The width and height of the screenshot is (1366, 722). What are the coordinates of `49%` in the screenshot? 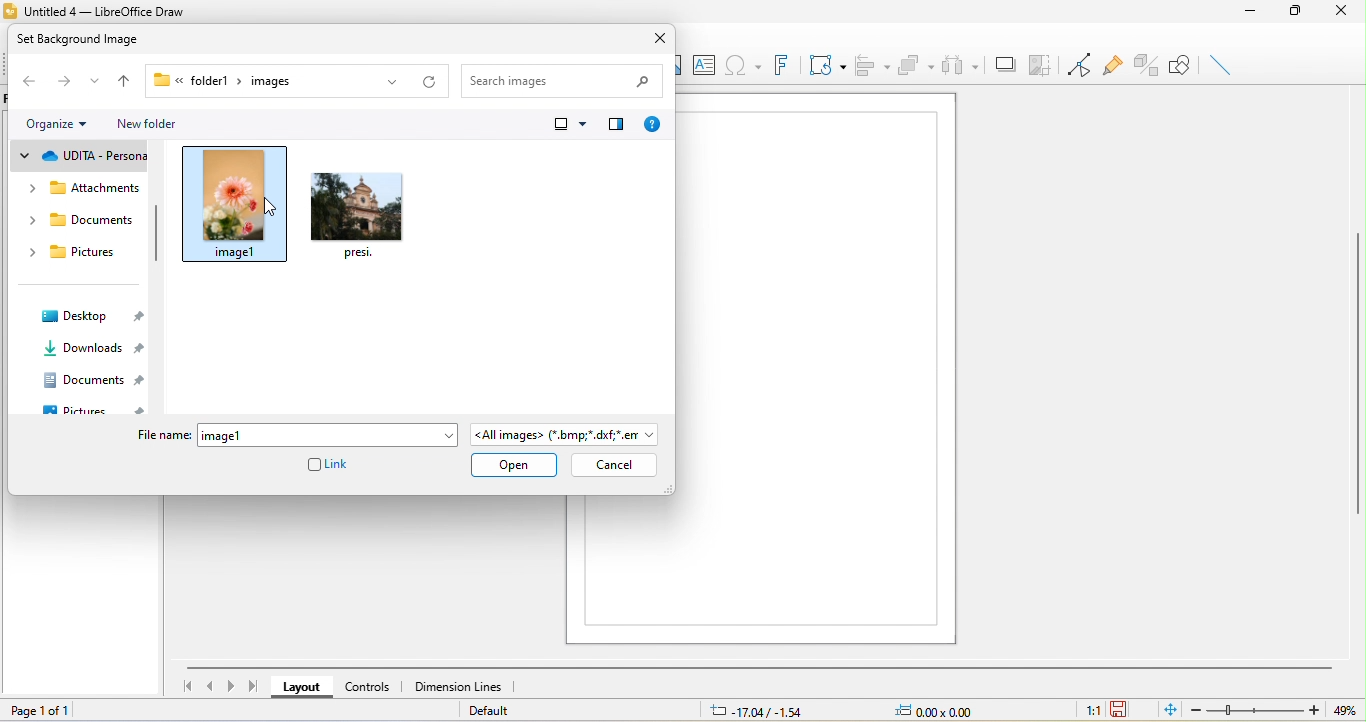 It's located at (1342, 709).